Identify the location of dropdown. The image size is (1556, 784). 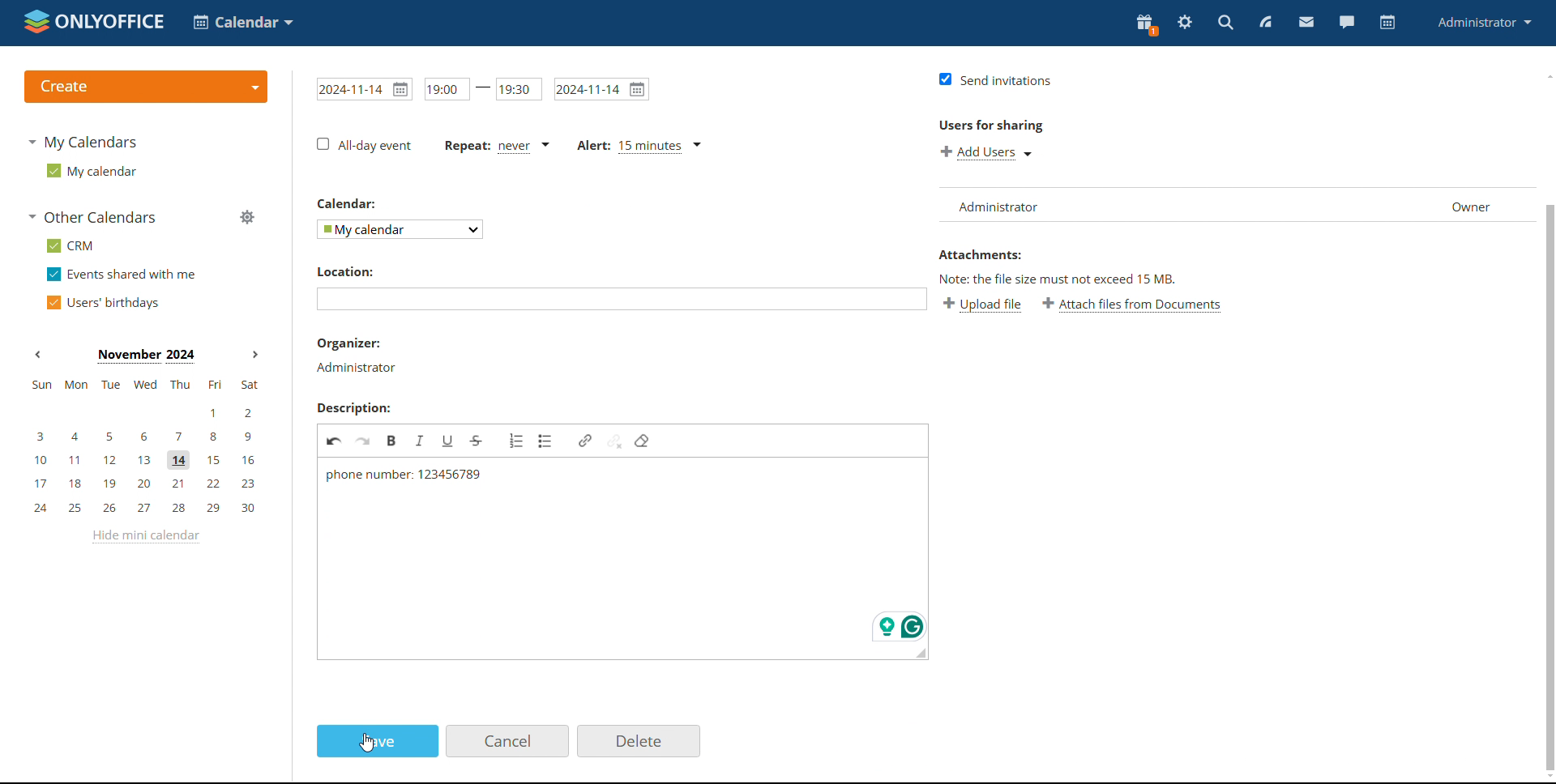
(405, 230).